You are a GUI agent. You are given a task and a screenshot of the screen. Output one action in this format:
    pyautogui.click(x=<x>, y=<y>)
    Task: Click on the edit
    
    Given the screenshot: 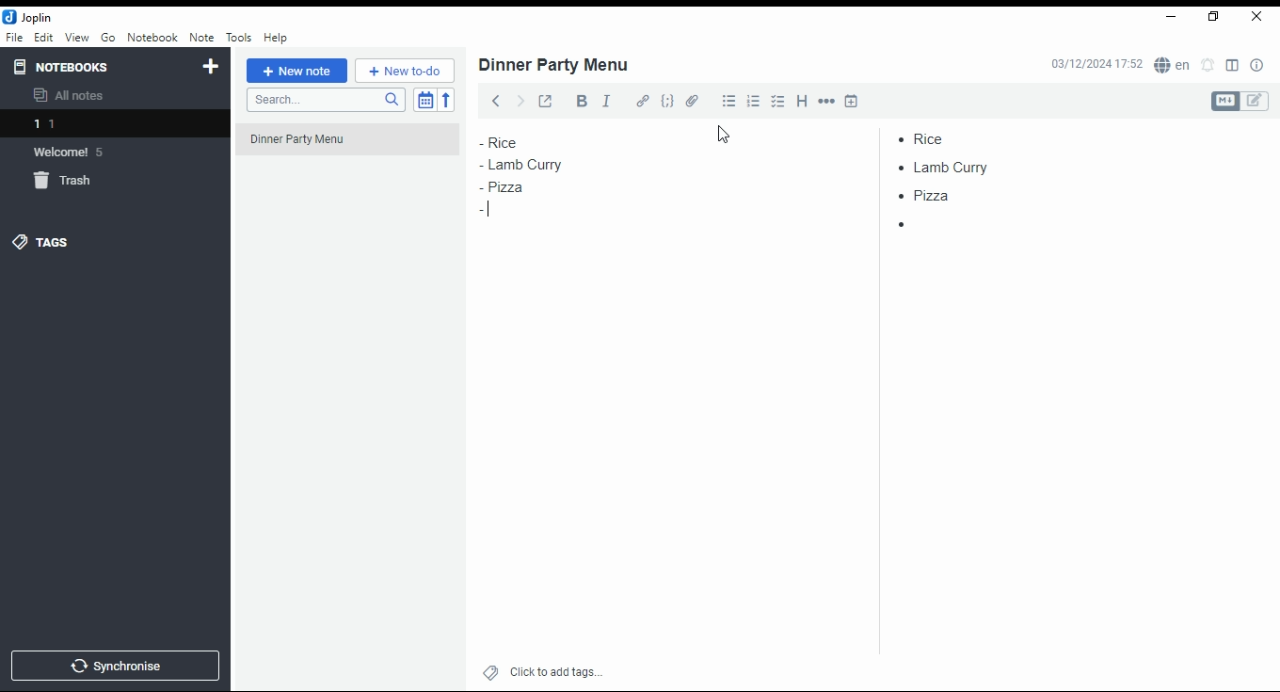 What is the action you would take?
    pyautogui.click(x=1257, y=101)
    